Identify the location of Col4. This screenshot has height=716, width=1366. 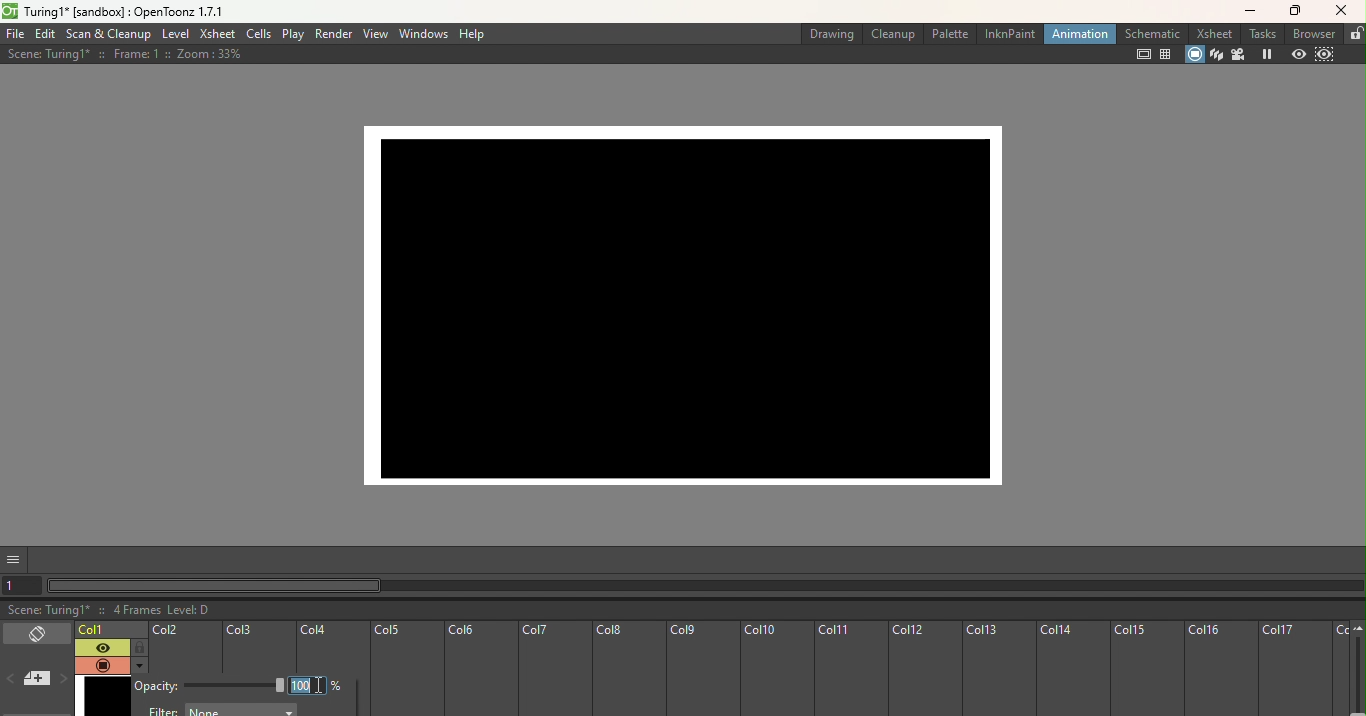
(332, 646).